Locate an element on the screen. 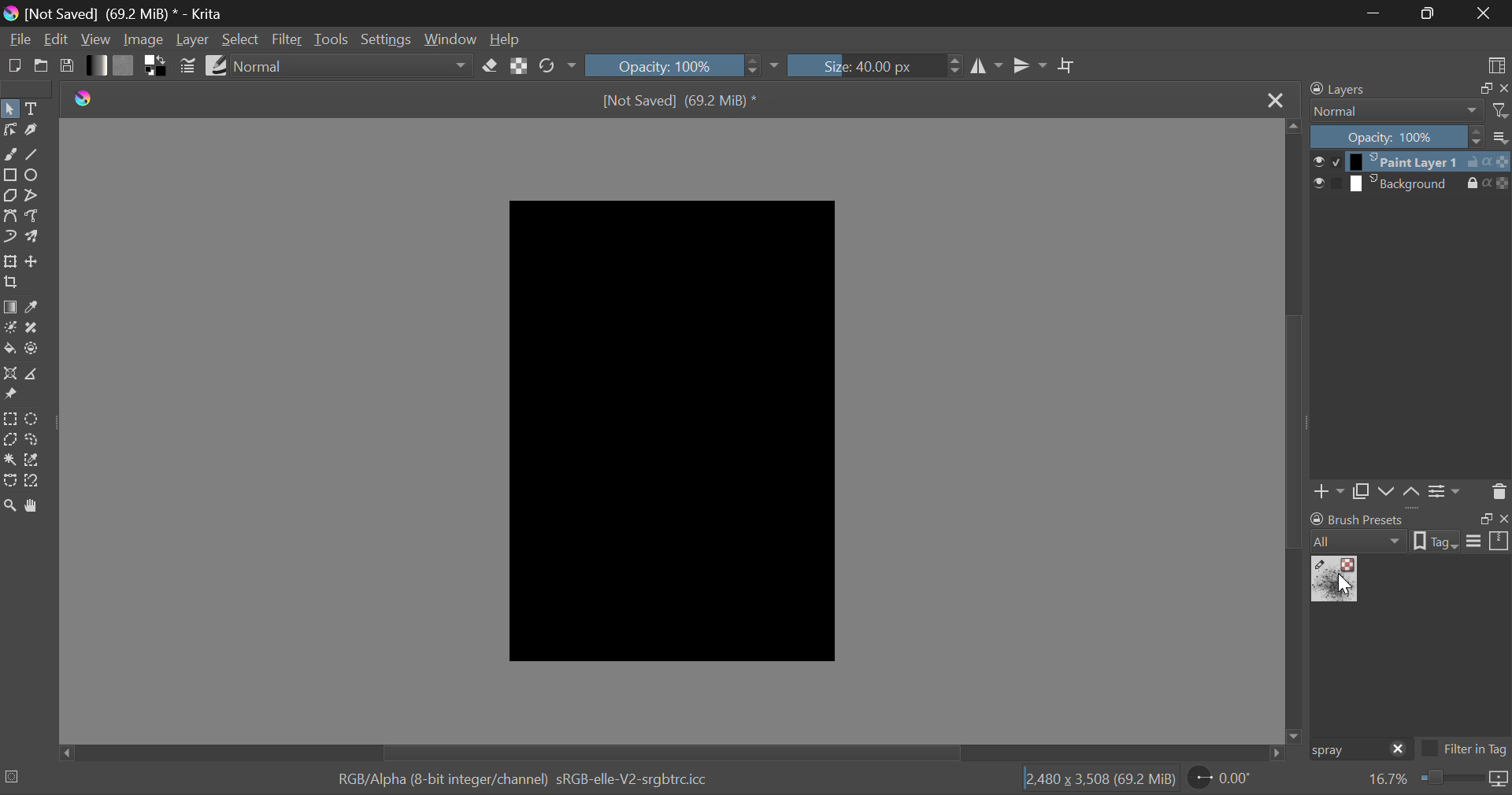 Image resolution: width=1512 pixels, height=795 pixels. Polyline is located at coordinates (33, 196).